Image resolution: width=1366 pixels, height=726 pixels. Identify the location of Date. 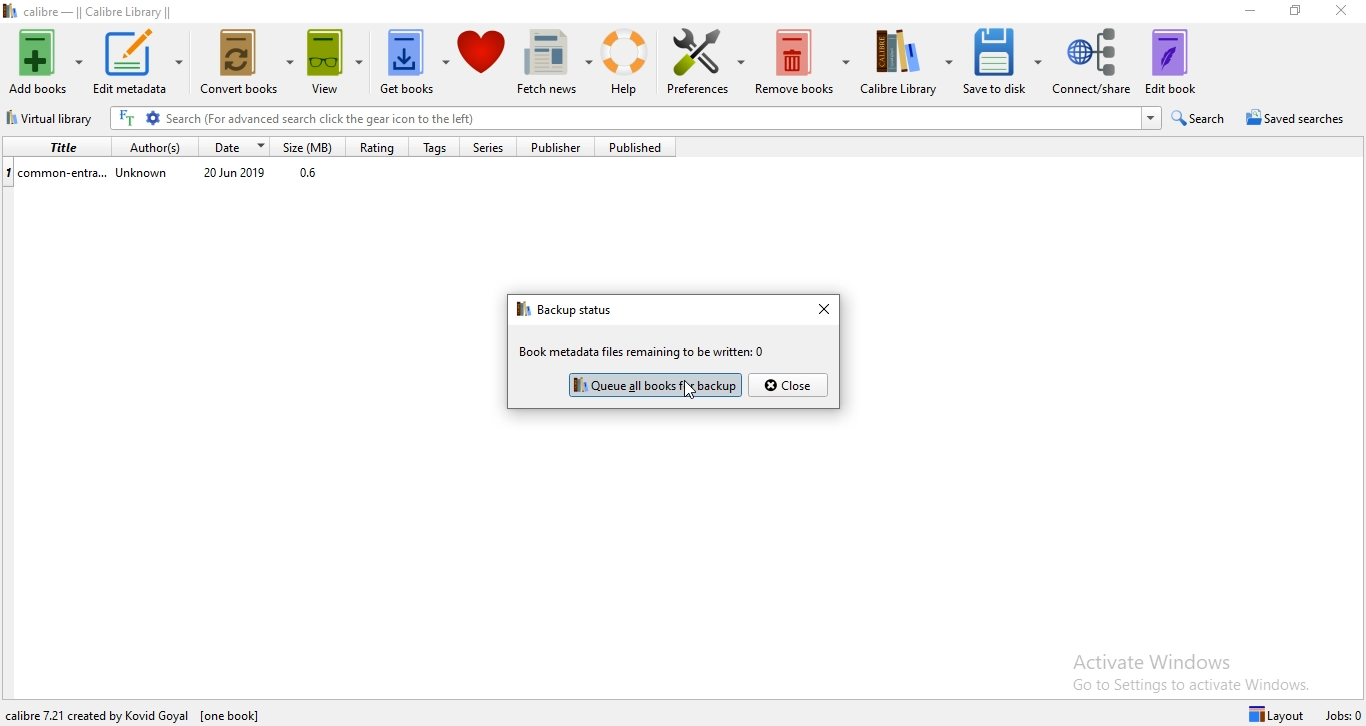
(236, 146).